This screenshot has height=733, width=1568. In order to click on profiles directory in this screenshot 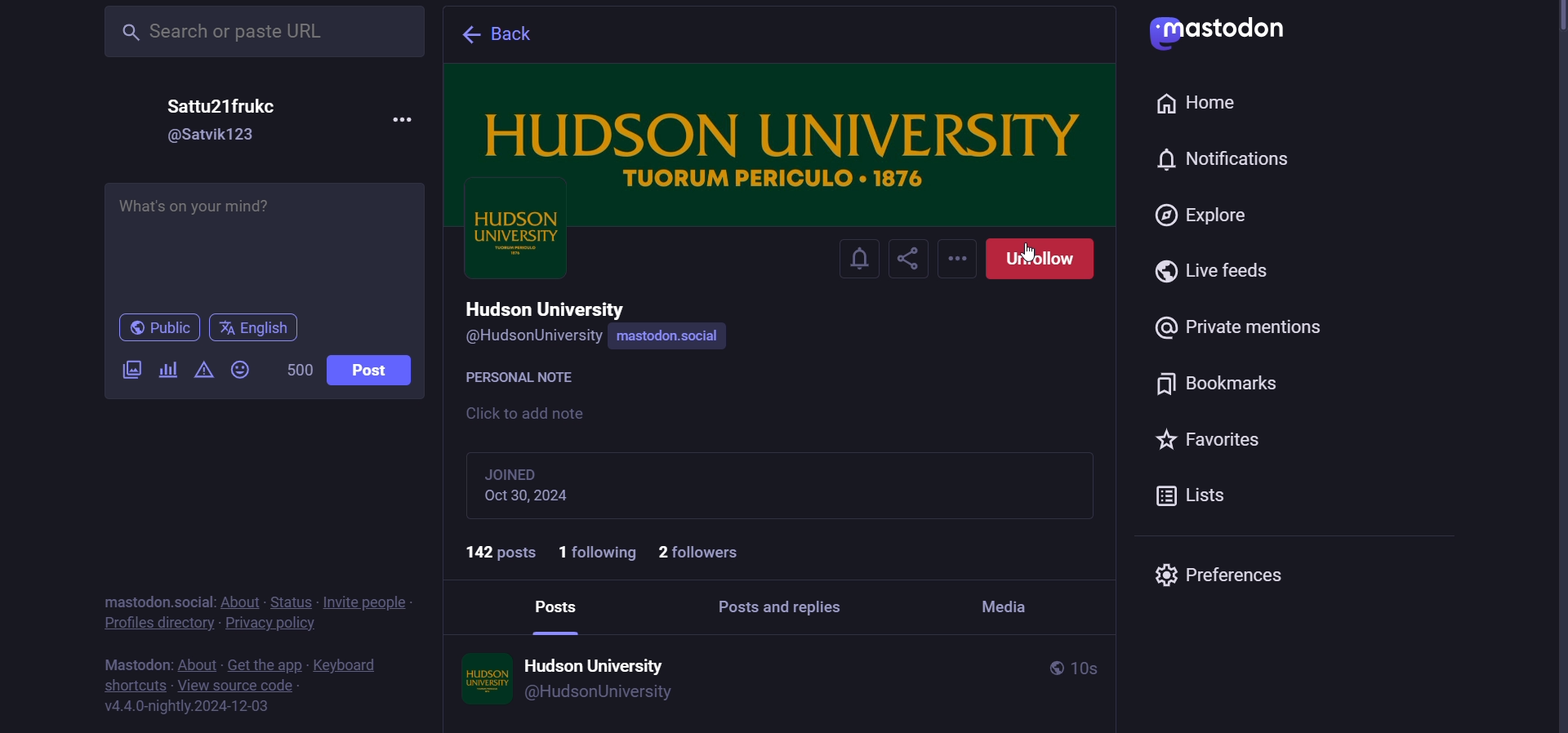, I will do `click(158, 623)`.